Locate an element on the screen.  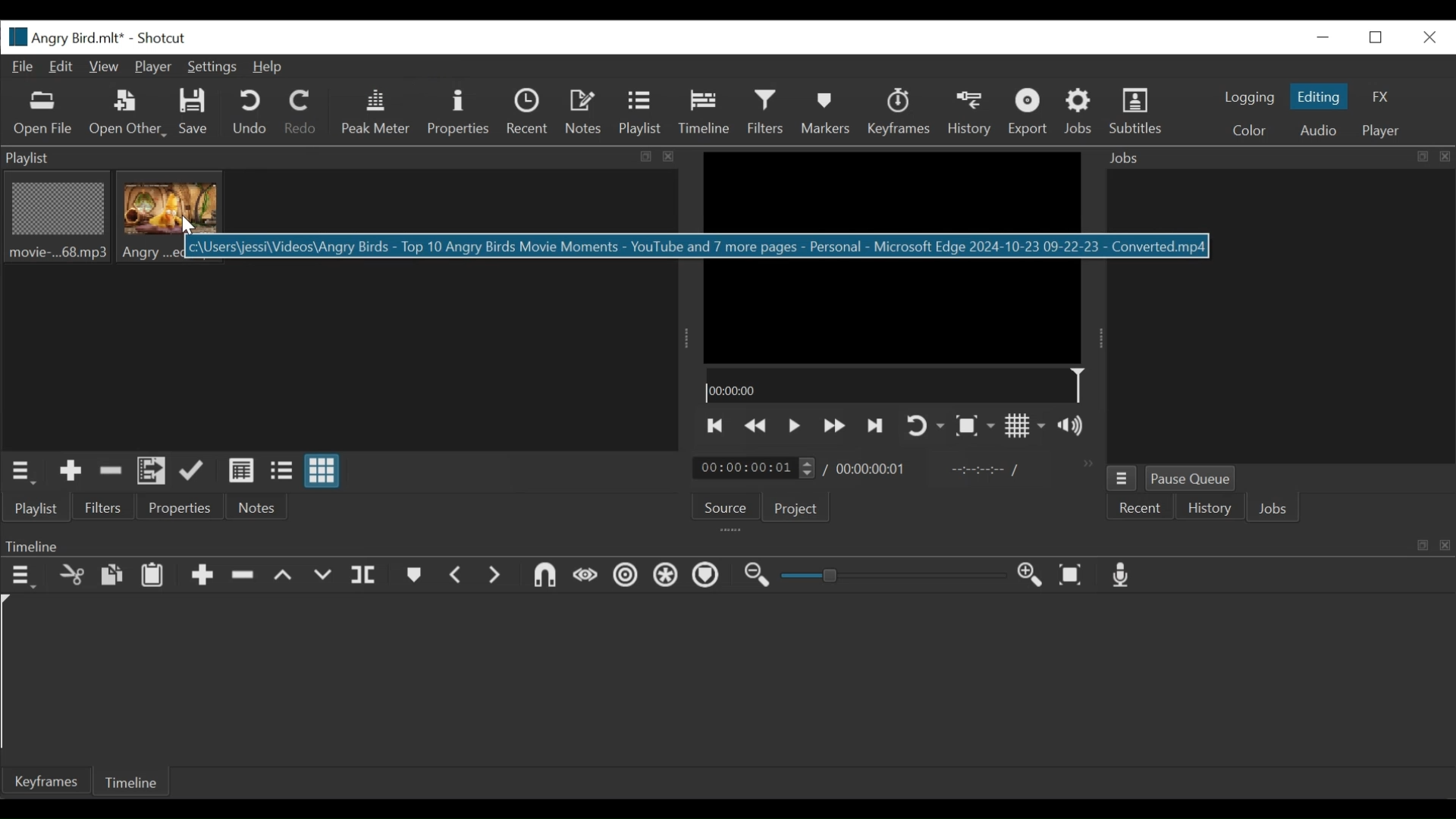
Show volume control is located at coordinates (1076, 426).